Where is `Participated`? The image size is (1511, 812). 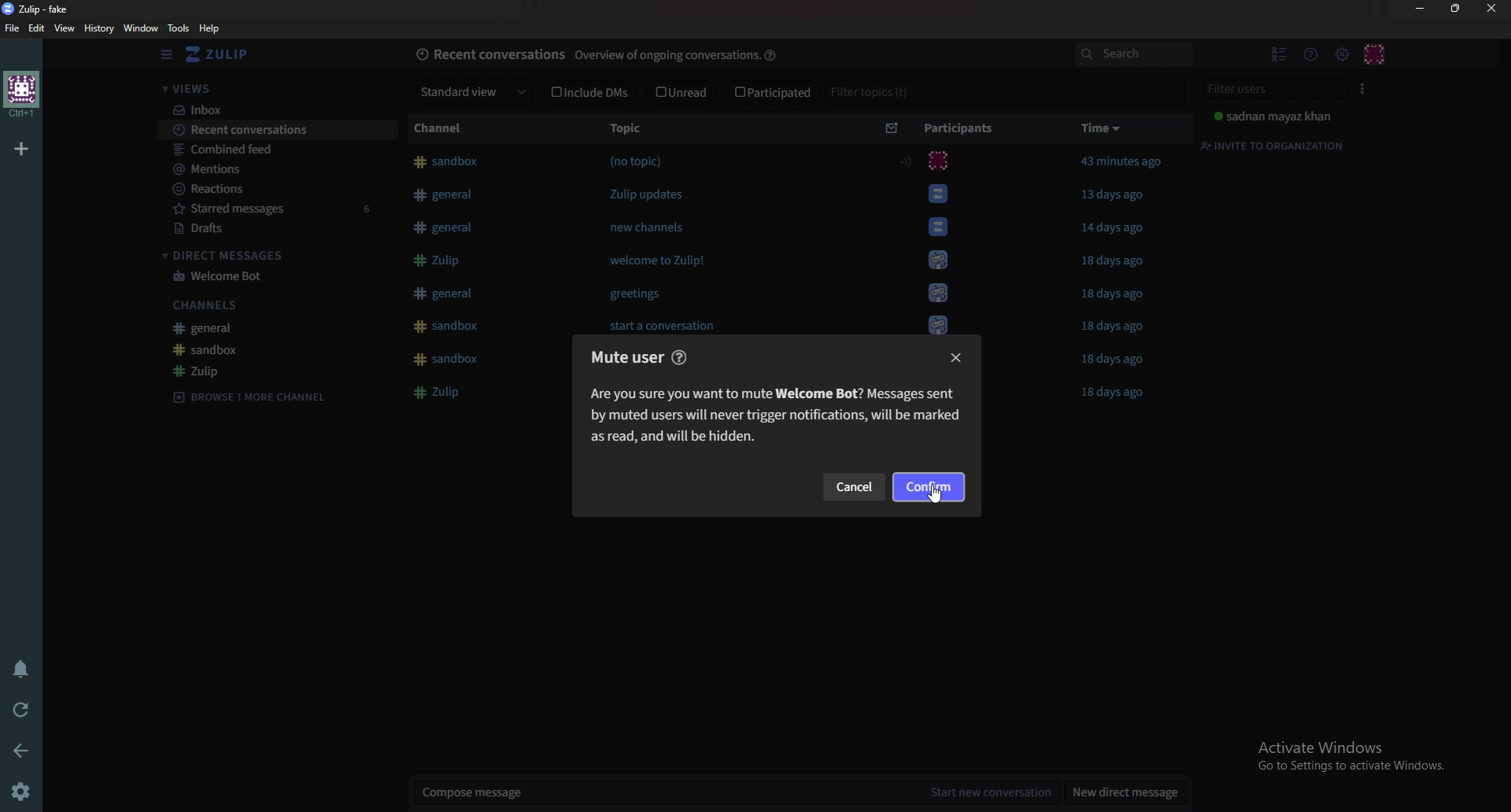 Participated is located at coordinates (770, 93).